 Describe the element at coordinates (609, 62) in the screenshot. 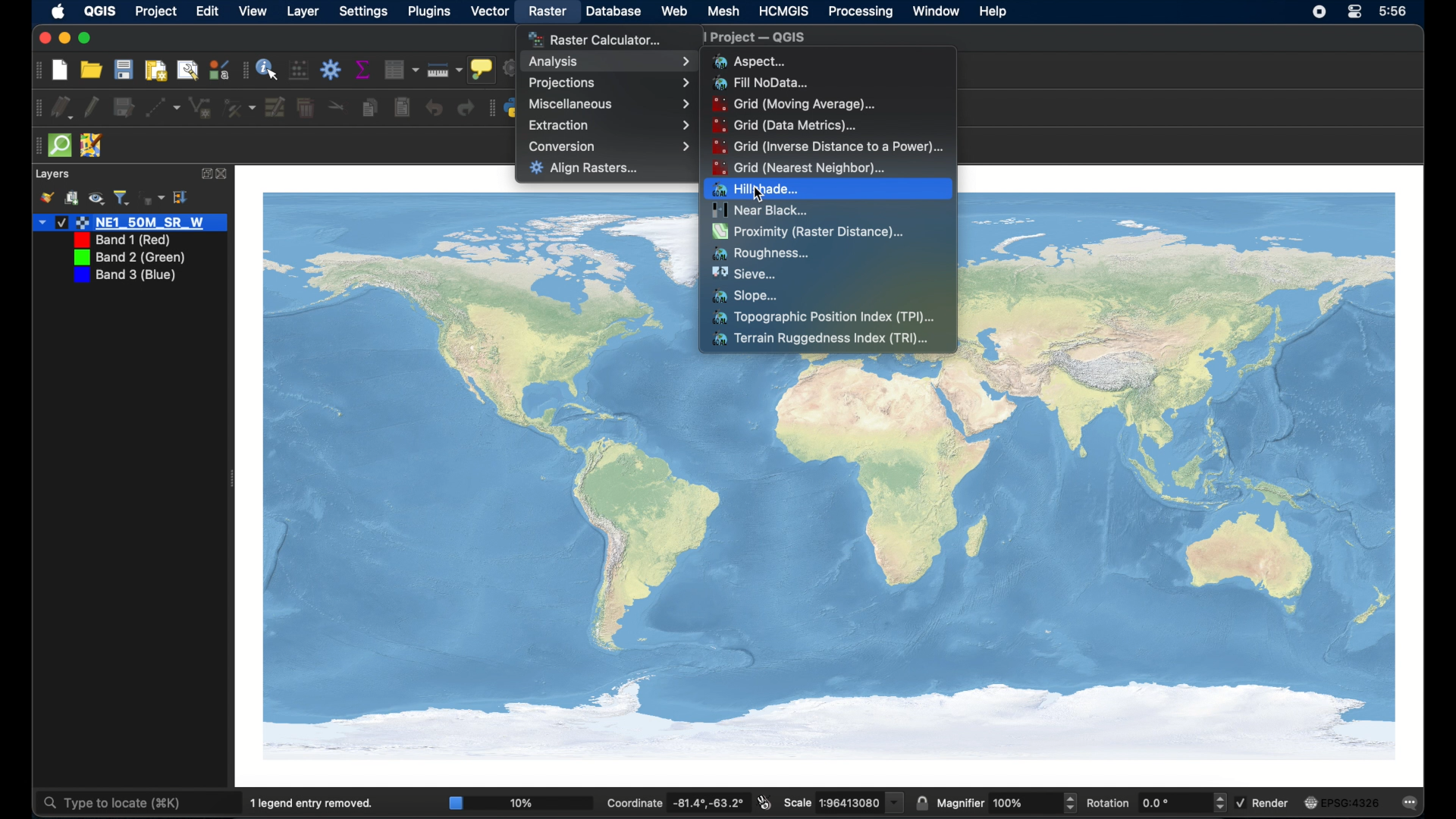

I see `analysis highlighted` at that location.